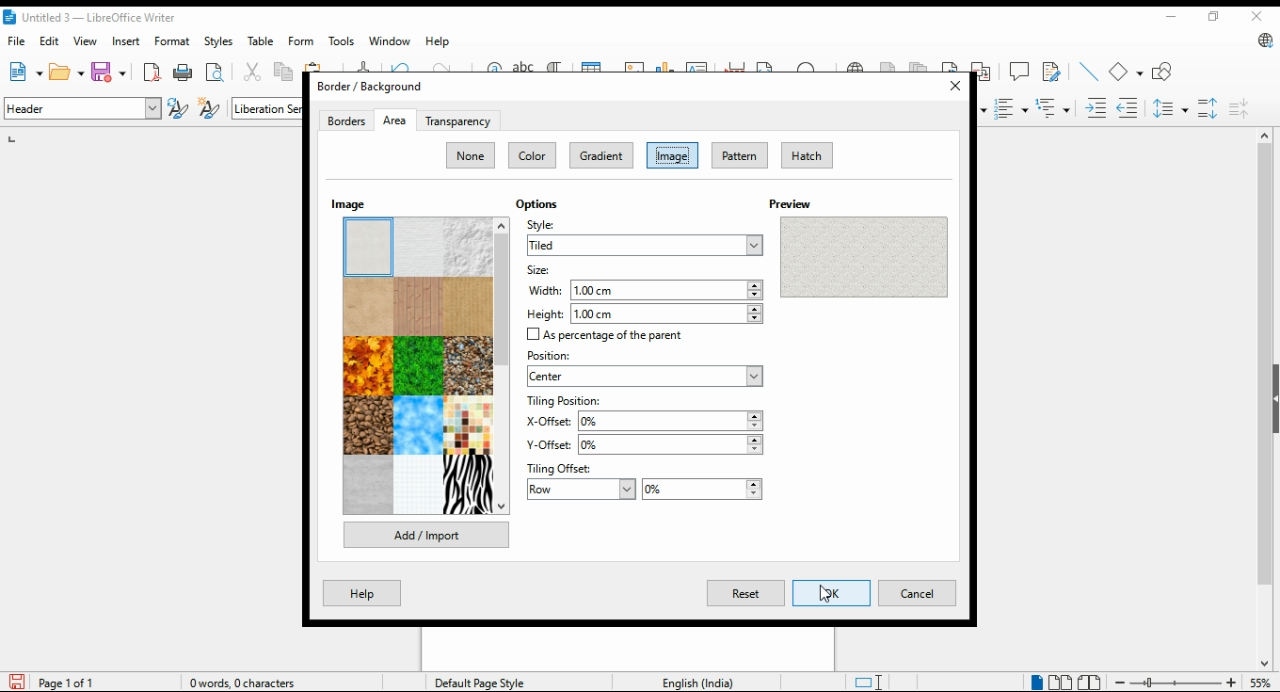  I want to click on reset, so click(747, 593).